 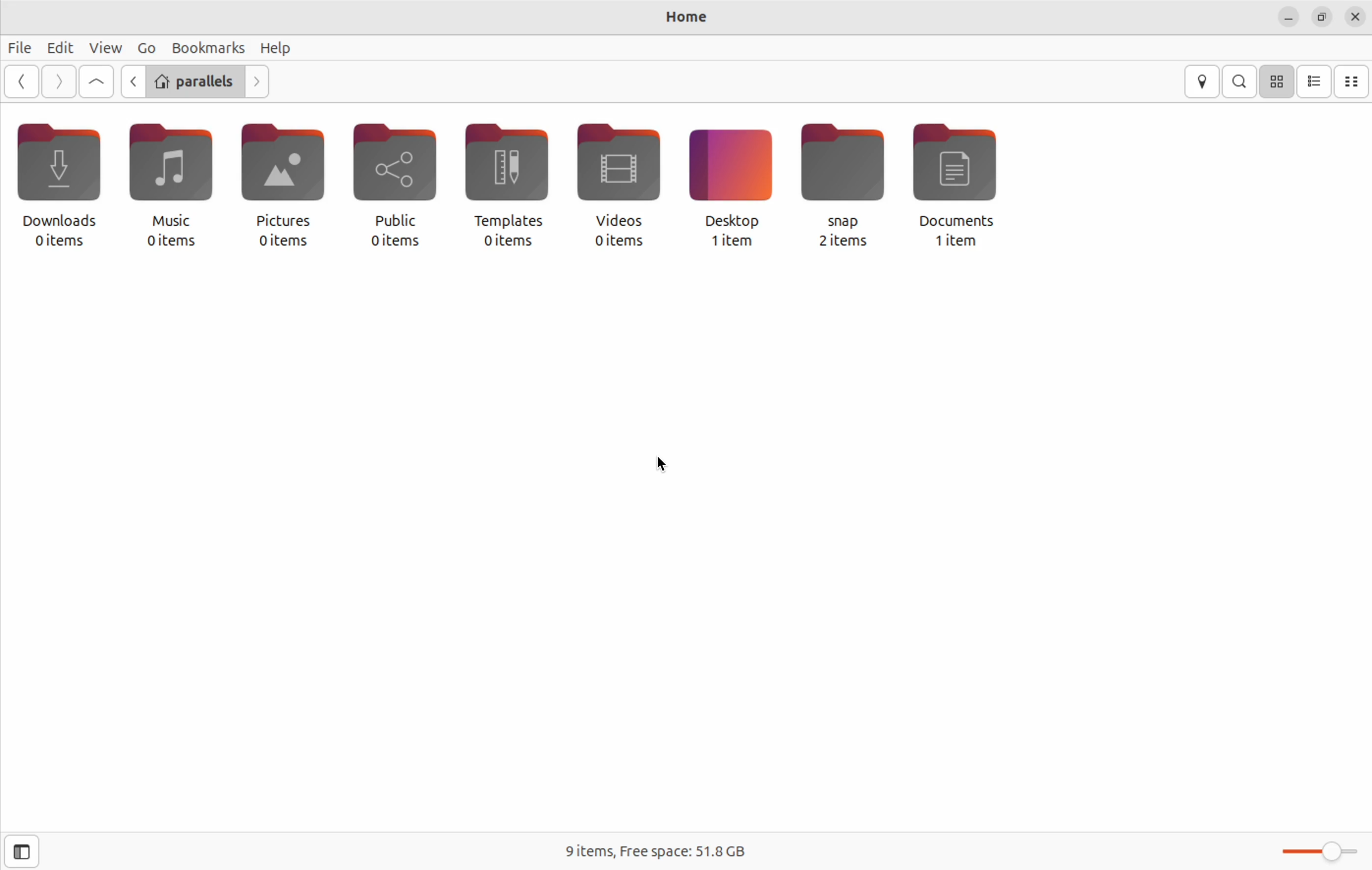 What do you see at coordinates (967, 187) in the screenshot?
I see `documents 1 item` at bounding box center [967, 187].